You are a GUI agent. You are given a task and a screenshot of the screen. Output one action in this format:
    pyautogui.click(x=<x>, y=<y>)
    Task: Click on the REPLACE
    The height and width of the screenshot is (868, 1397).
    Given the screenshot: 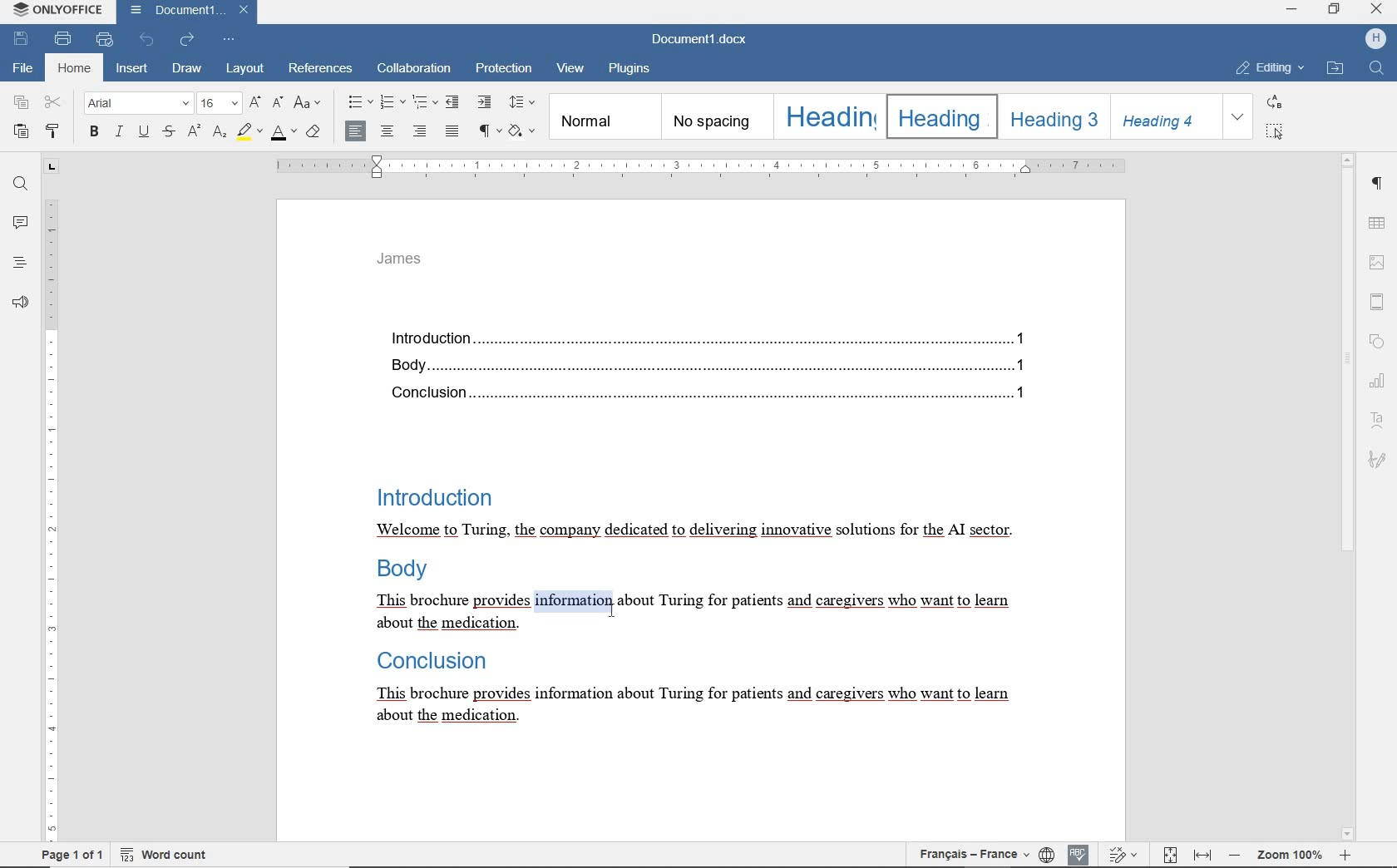 What is the action you would take?
    pyautogui.click(x=1273, y=101)
    